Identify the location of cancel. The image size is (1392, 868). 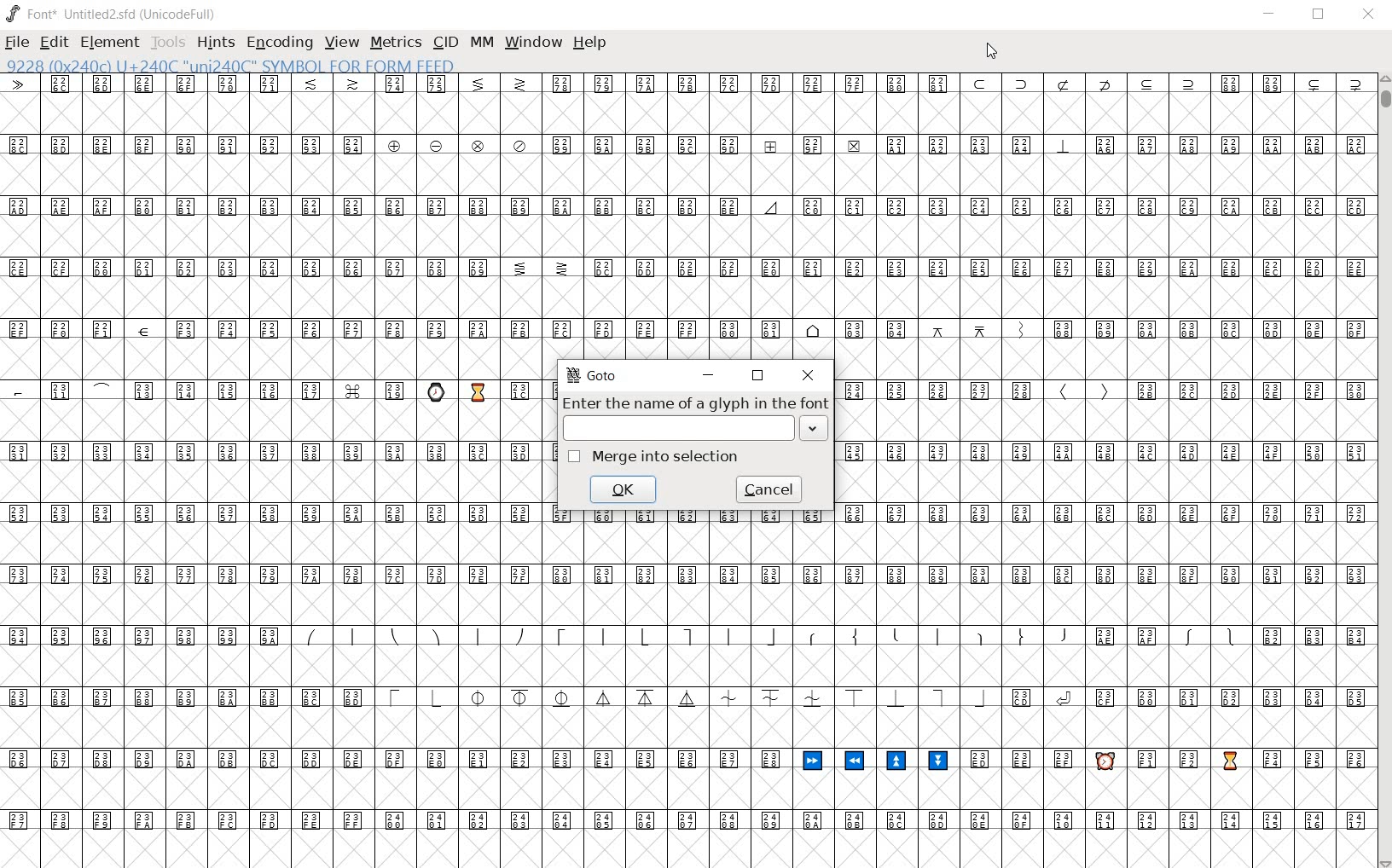
(770, 489).